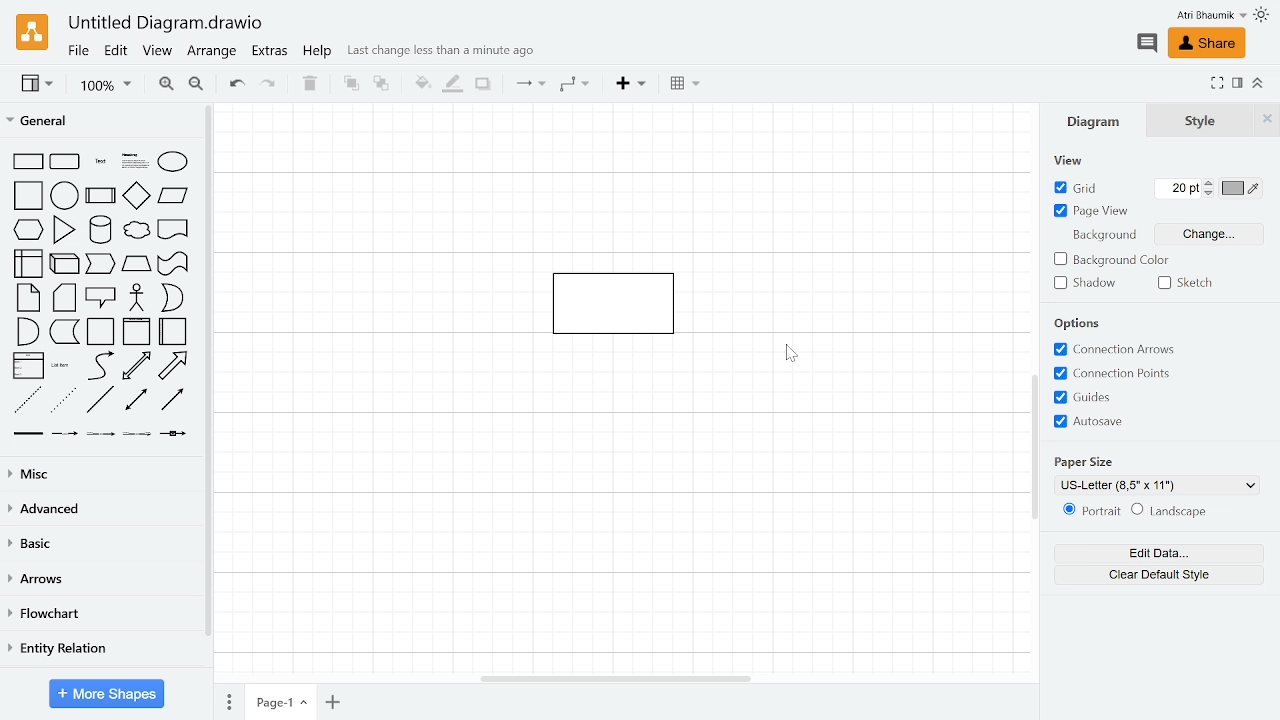 The height and width of the screenshot is (720, 1280). What do you see at coordinates (1180, 510) in the screenshot?
I see `Landscape` at bounding box center [1180, 510].